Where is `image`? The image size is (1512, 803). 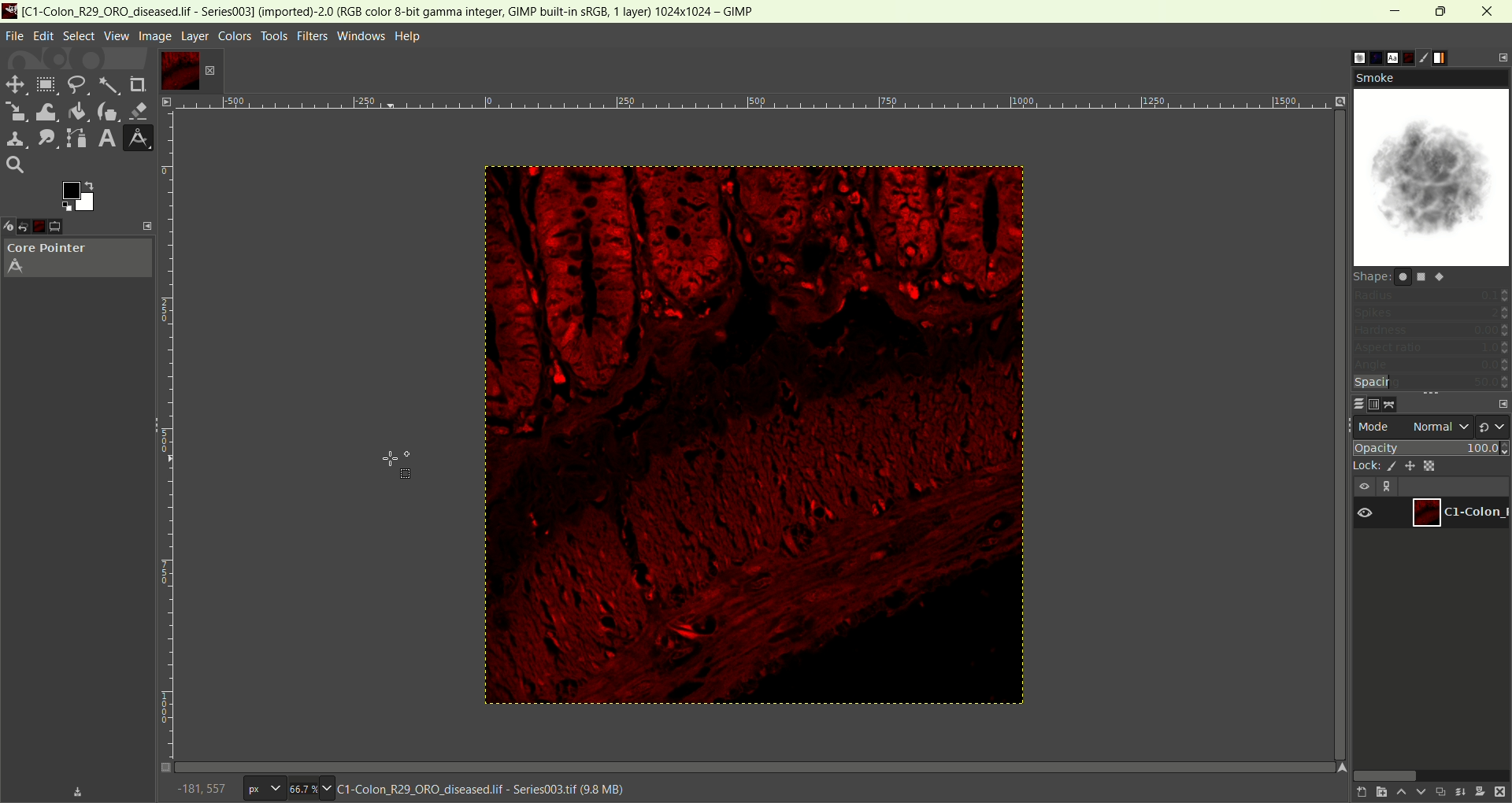
image is located at coordinates (754, 436).